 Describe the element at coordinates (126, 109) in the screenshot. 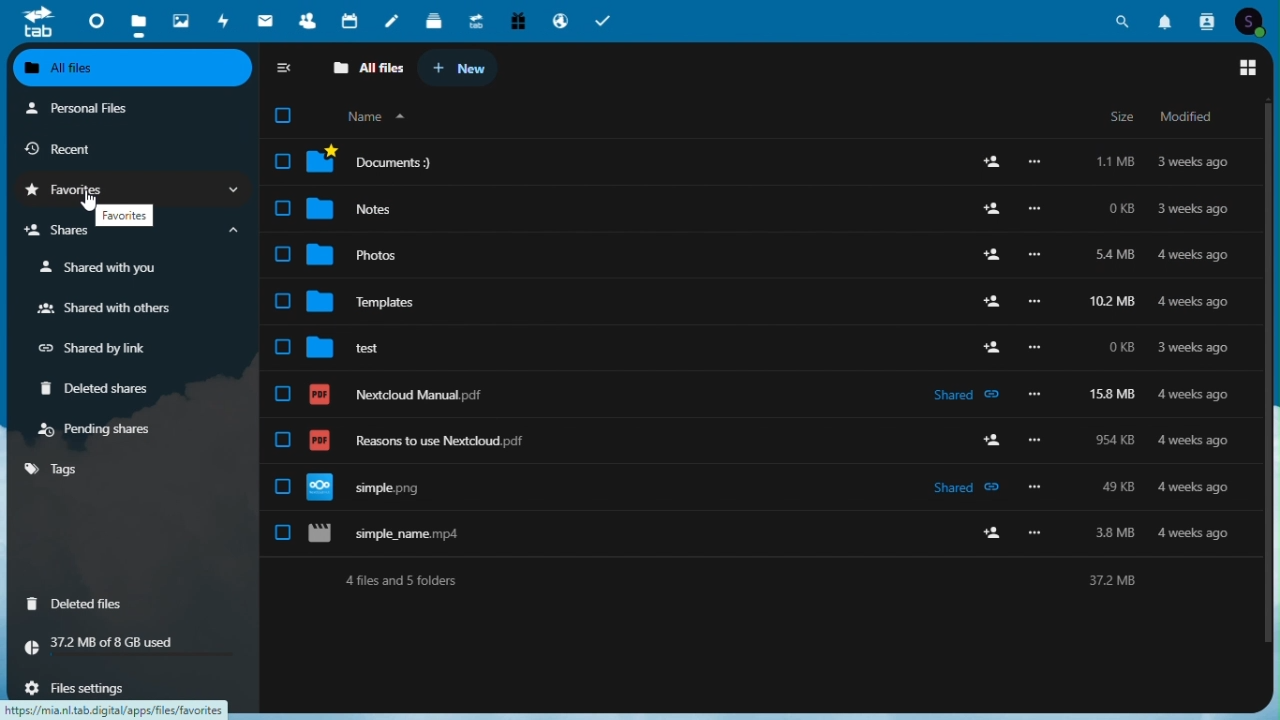

I see `Personal files` at that location.